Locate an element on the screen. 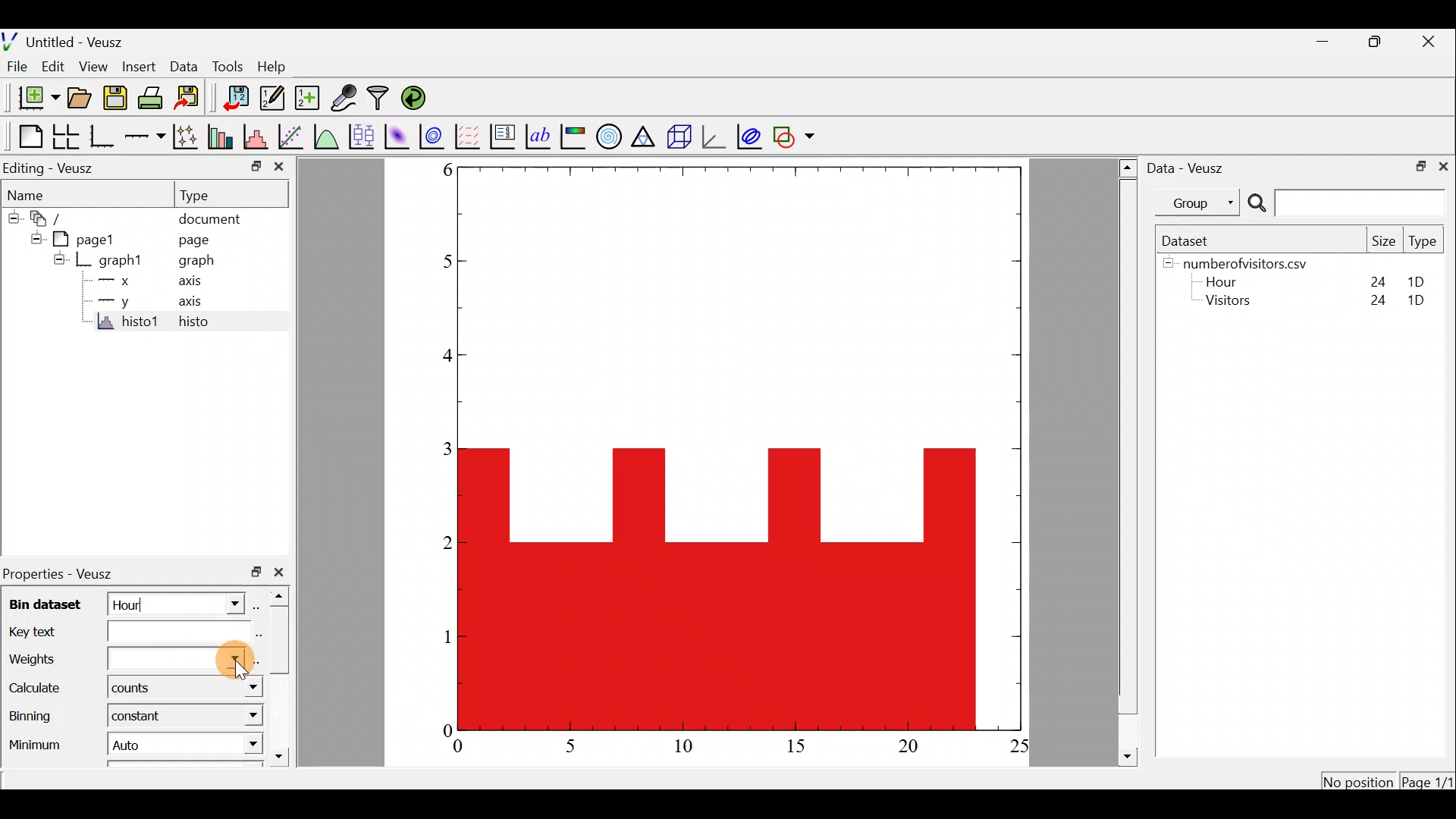 The height and width of the screenshot is (819, 1456). Dataset is located at coordinates (1195, 240).